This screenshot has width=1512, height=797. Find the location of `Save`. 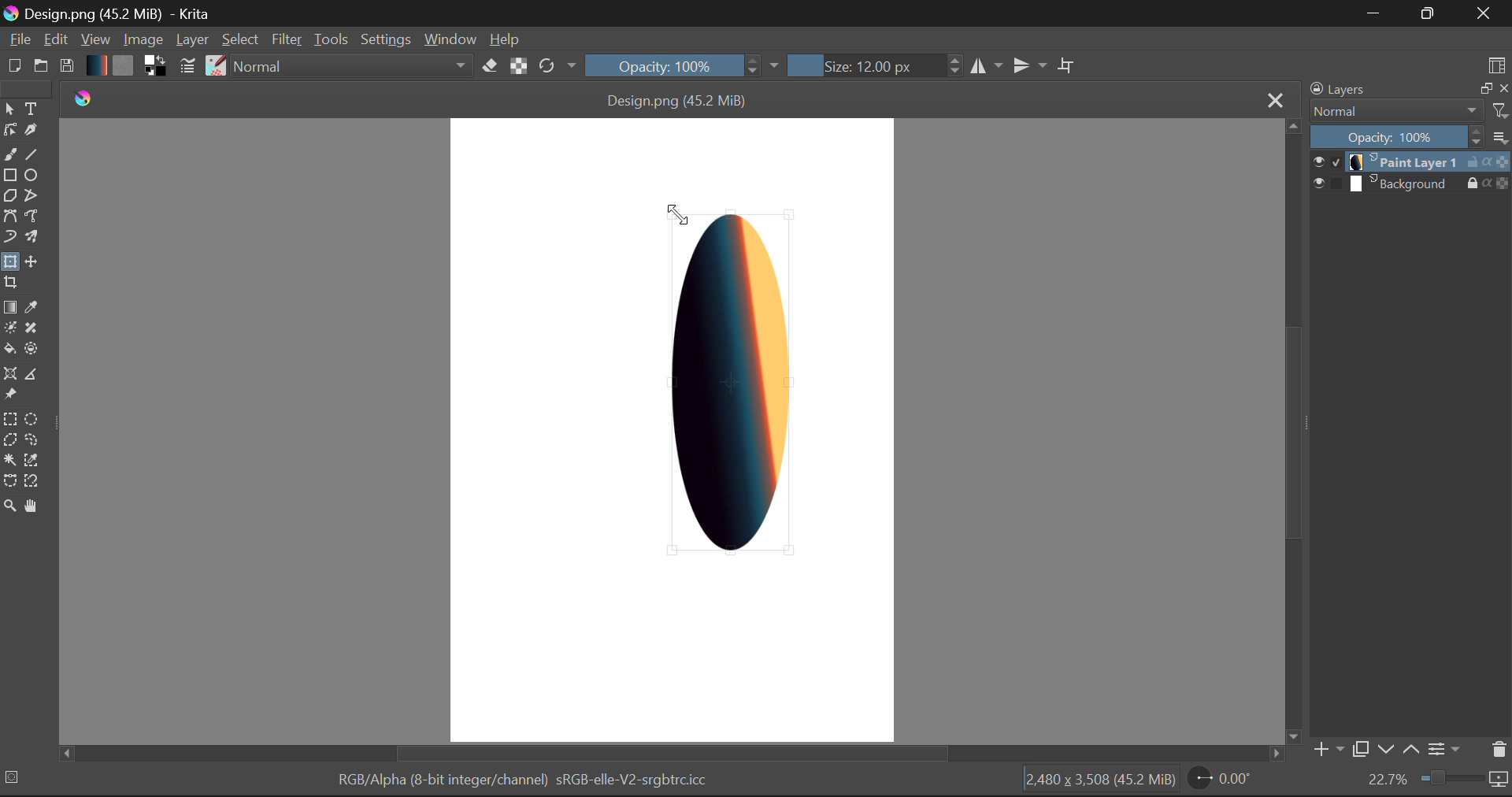

Save is located at coordinates (66, 66).